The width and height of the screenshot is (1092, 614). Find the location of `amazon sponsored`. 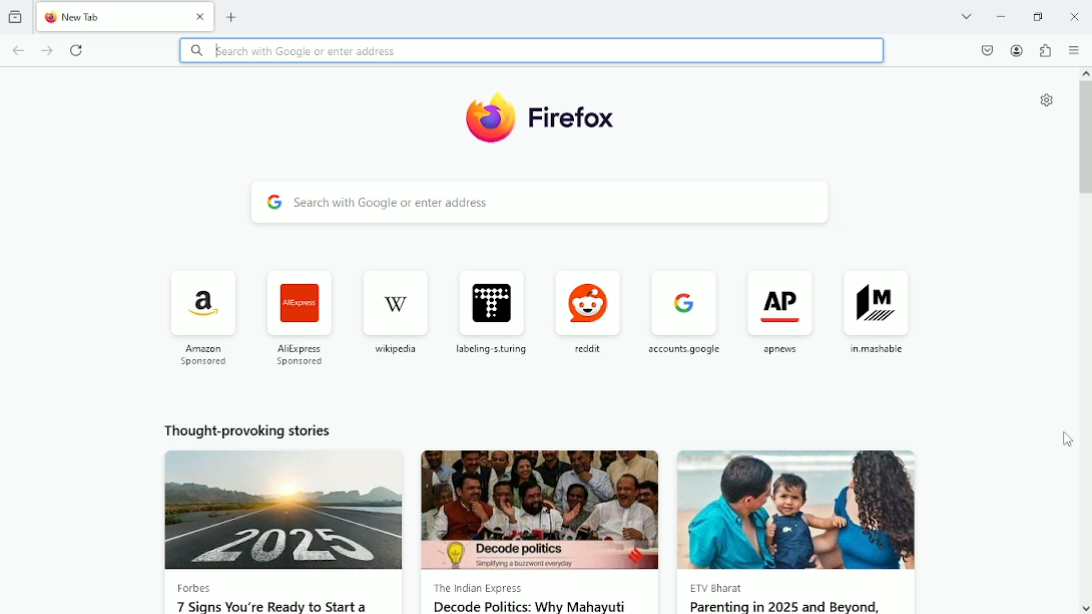

amazon sponsored is located at coordinates (203, 318).